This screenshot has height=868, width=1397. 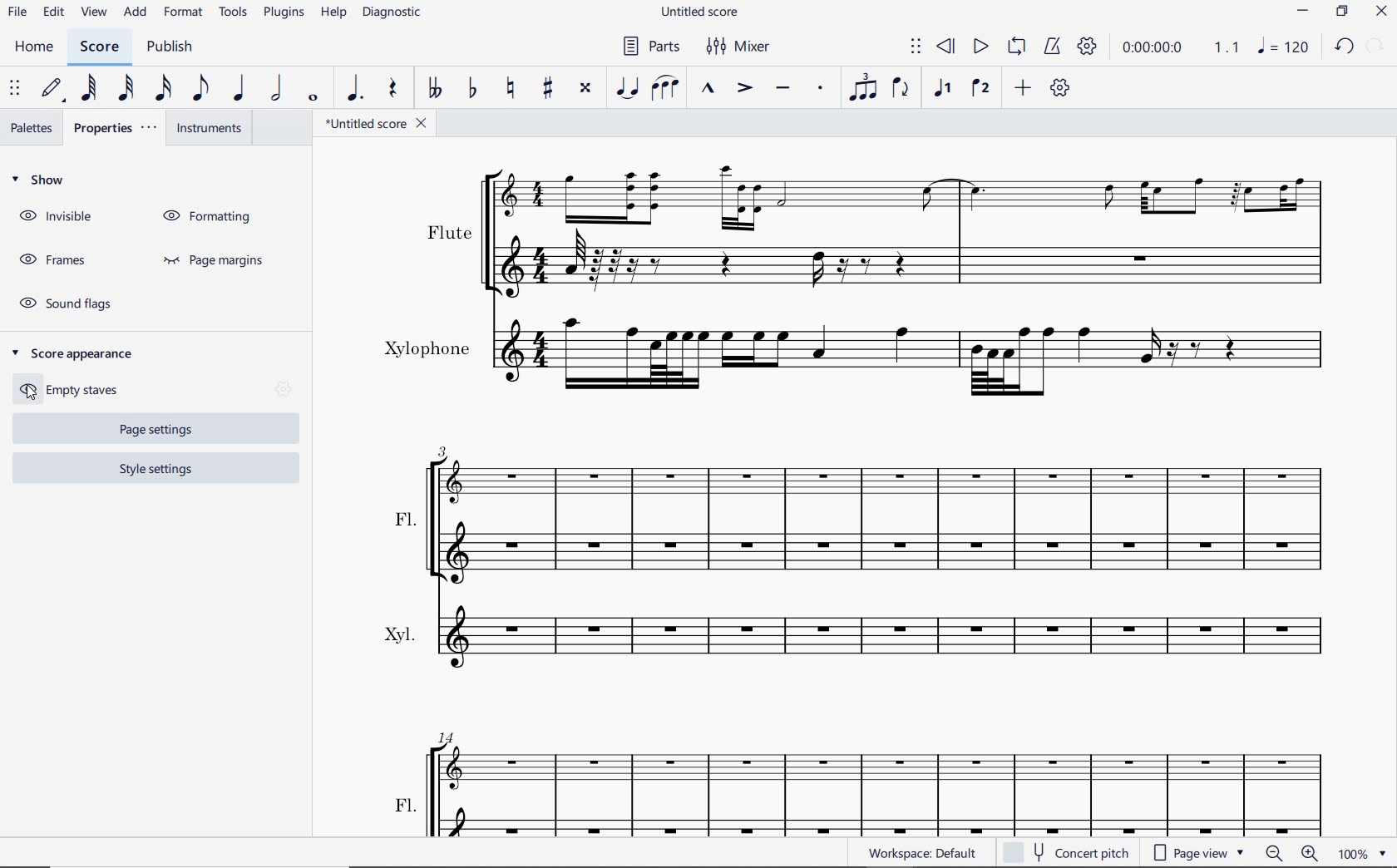 I want to click on ADD, so click(x=1022, y=88).